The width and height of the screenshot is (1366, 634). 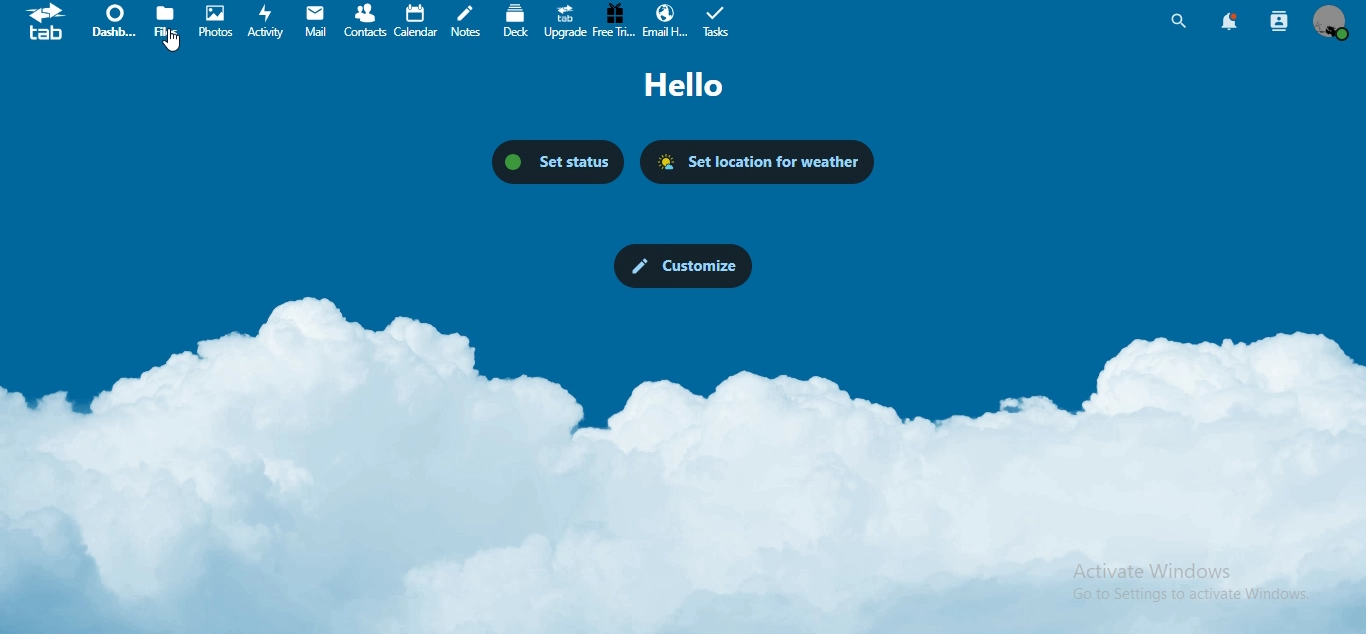 I want to click on contacts, so click(x=365, y=20).